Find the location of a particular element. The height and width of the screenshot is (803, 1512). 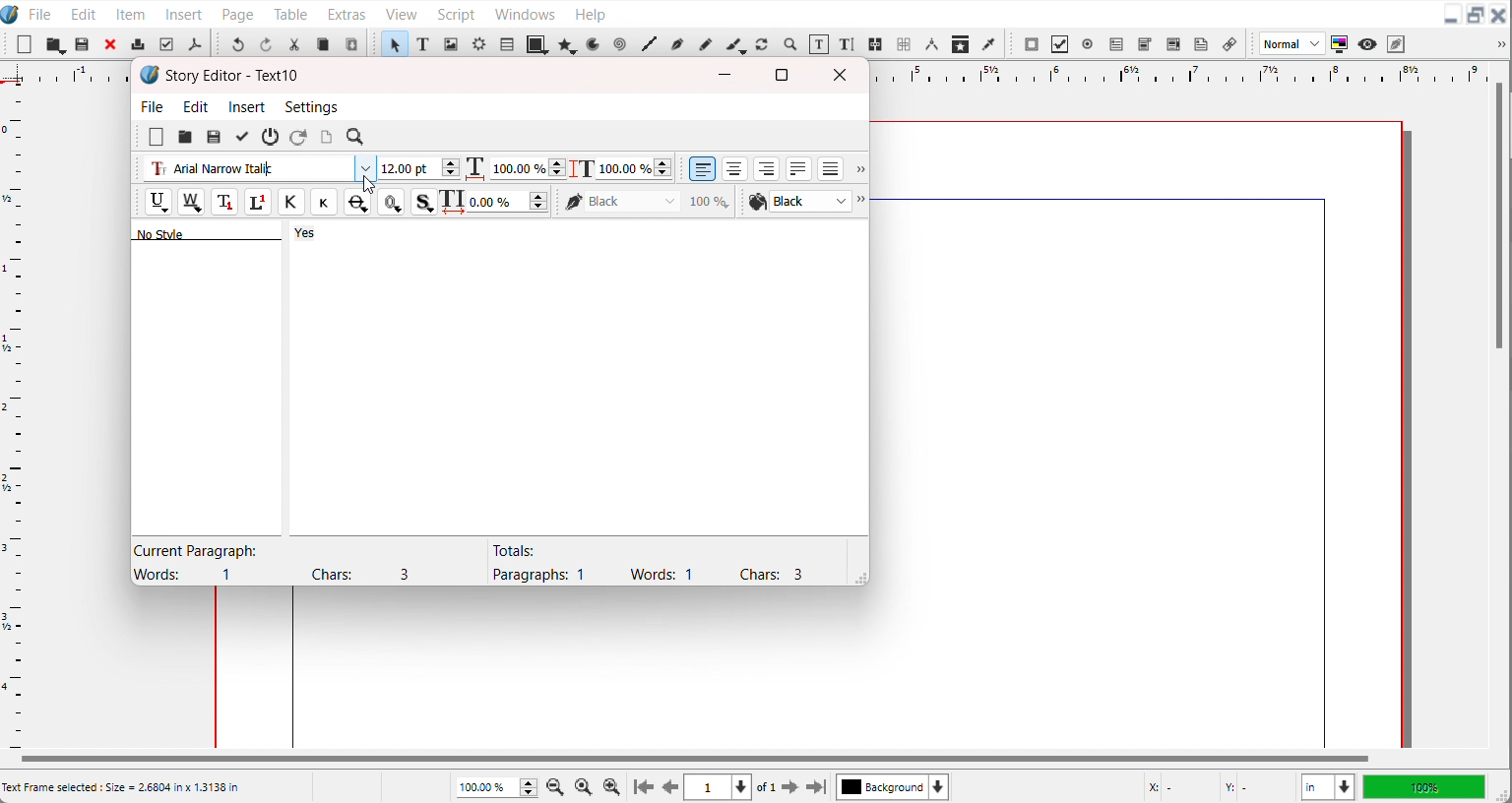

Black is located at coordinates (648, 201).